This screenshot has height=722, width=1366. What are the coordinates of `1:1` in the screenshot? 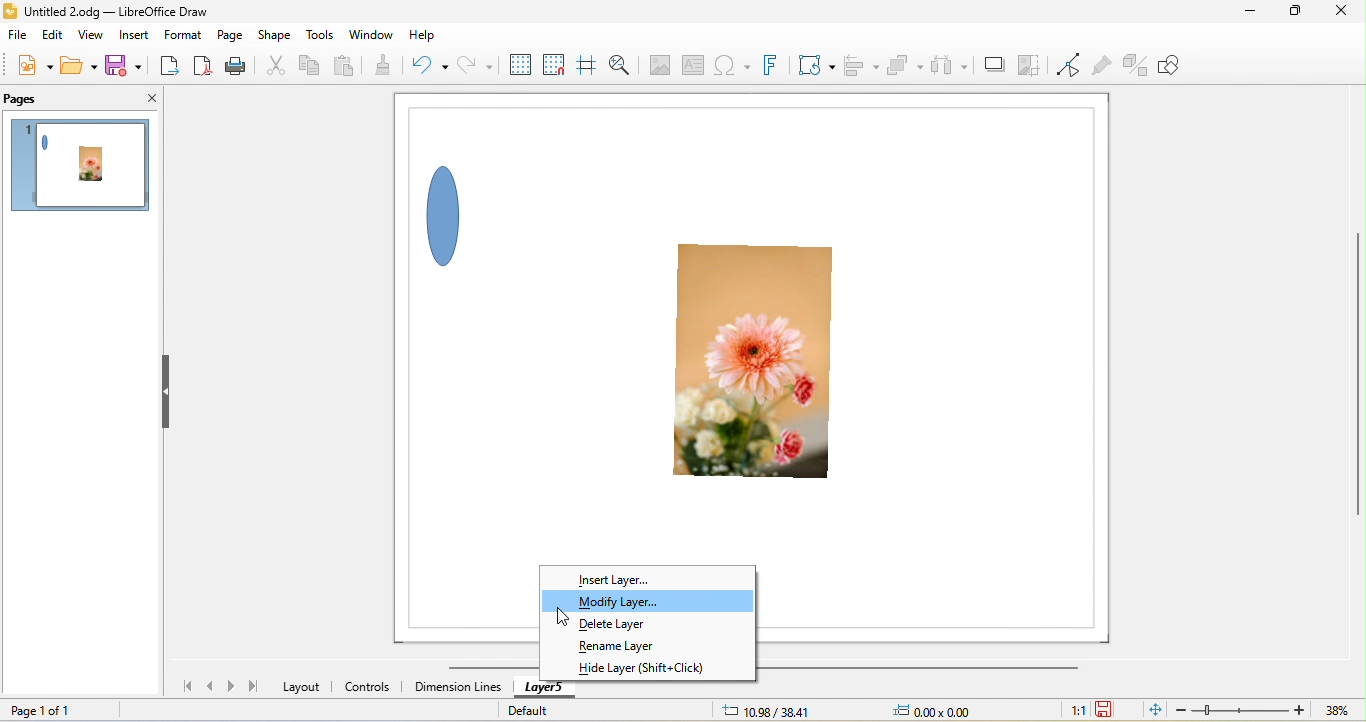 It's located at (1076, 710).